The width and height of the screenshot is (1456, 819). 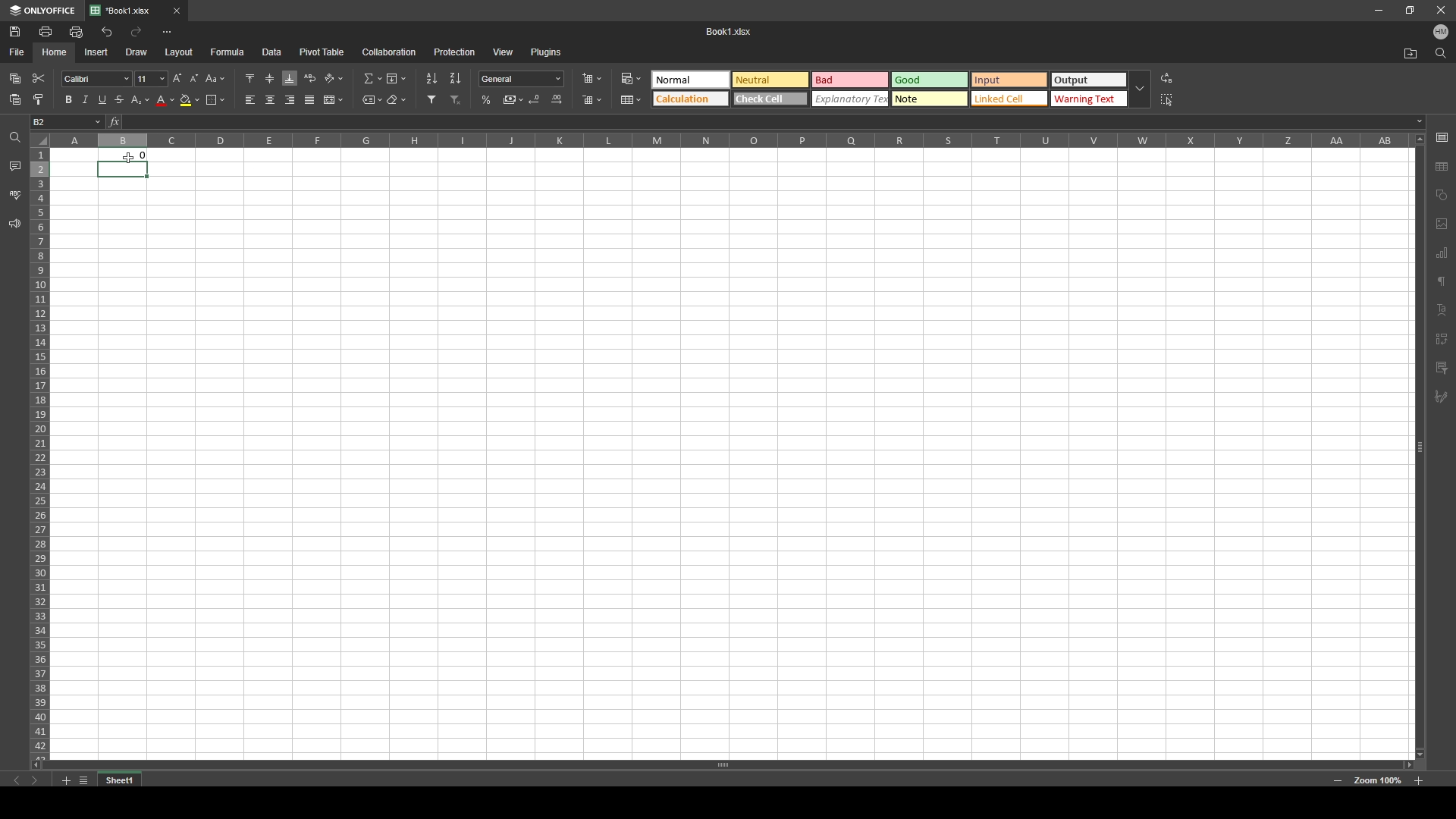 What do you see at coordinates (1418, 780) in the screenshot?
I see `zoom in` at bounding box center [1418, 780].